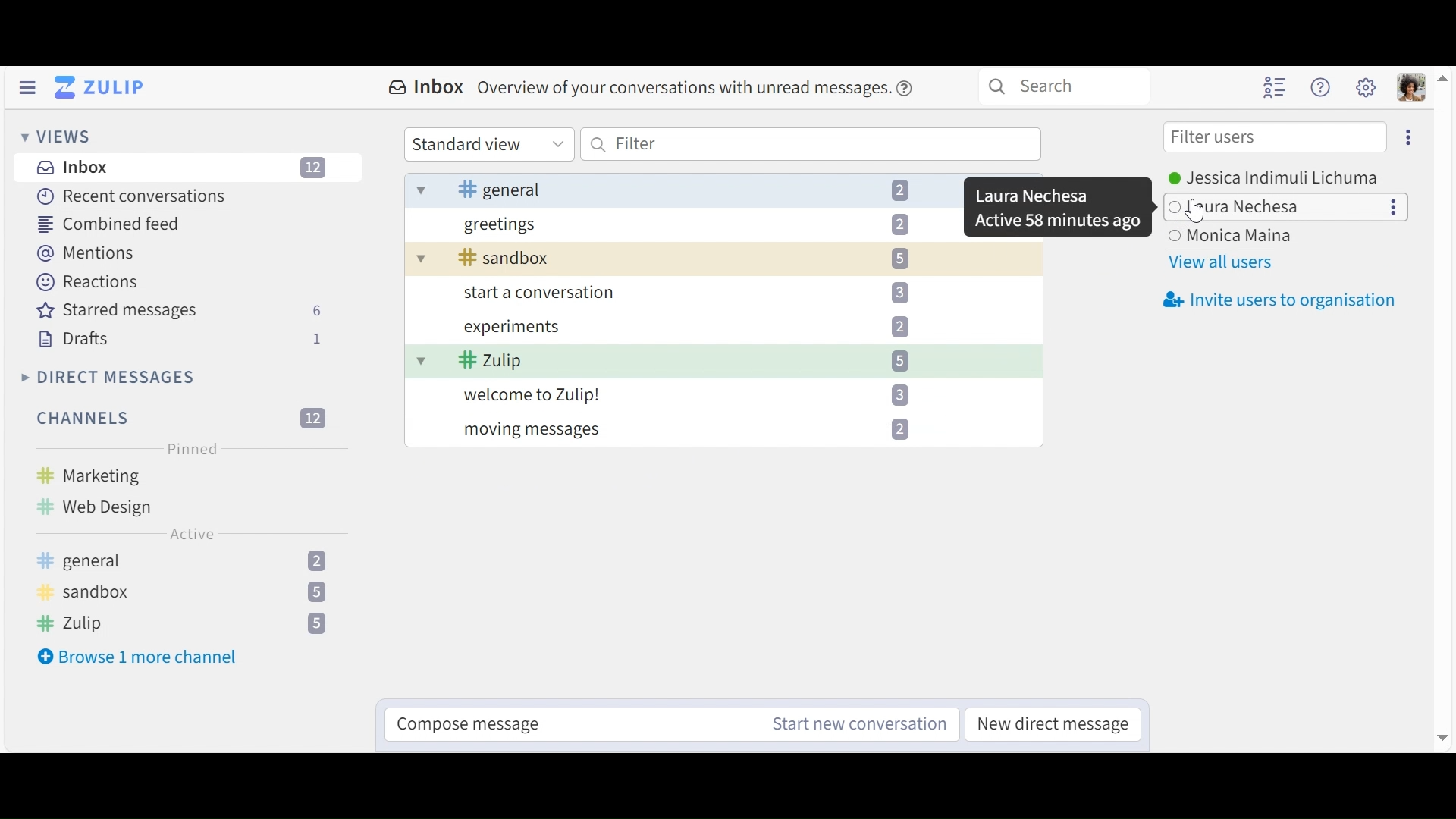 The height and width of the screenshot is (819, 1456). What do you see at coordinates (1276, 88) in the screenshot?
I see `Hide user list` at bounding box center [1276, 88].